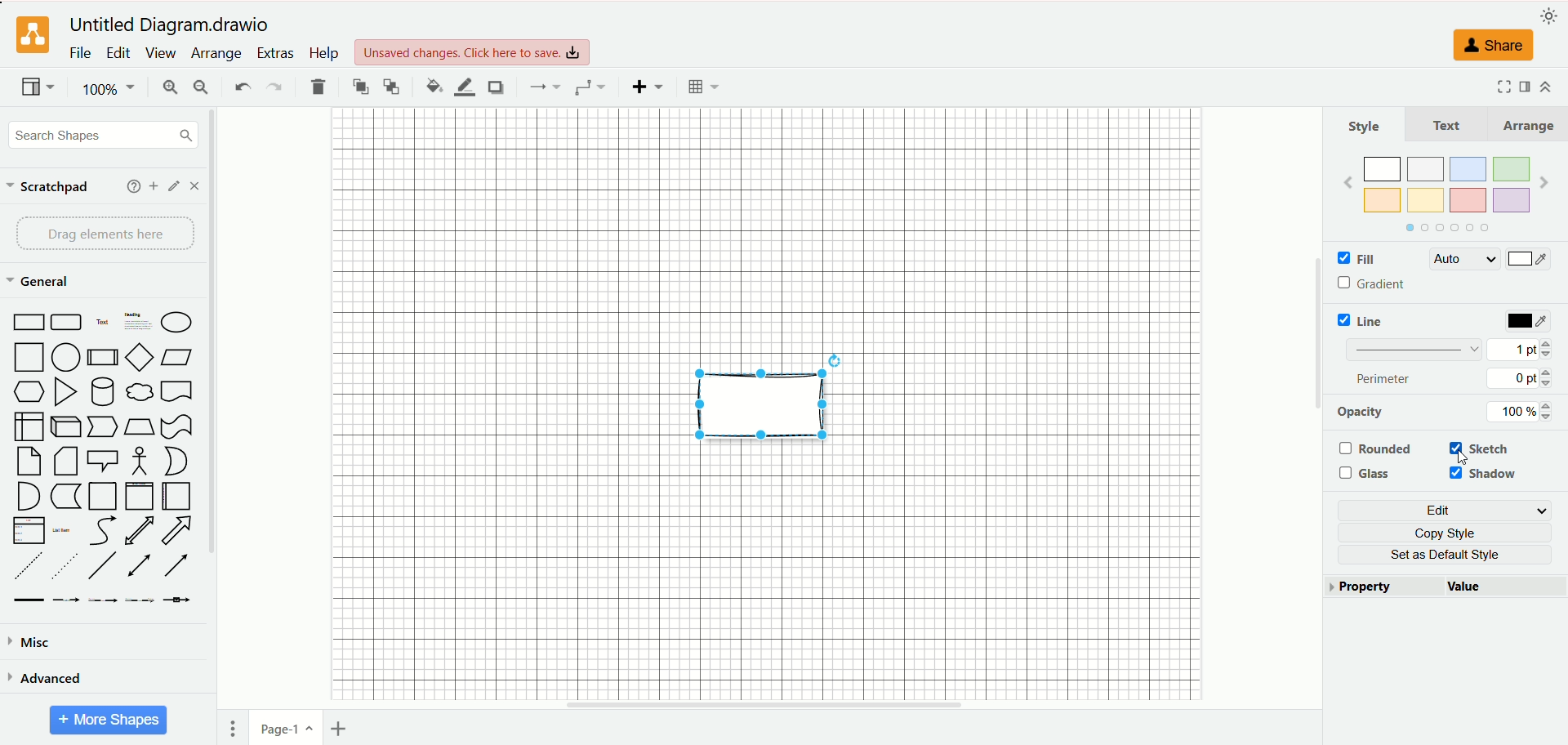 The height and width of the screenshot is (745, 1568). What do you see at coordinates (109, 720) in the screenshot?
I see `more shapes` at bounding box center [109, 720].